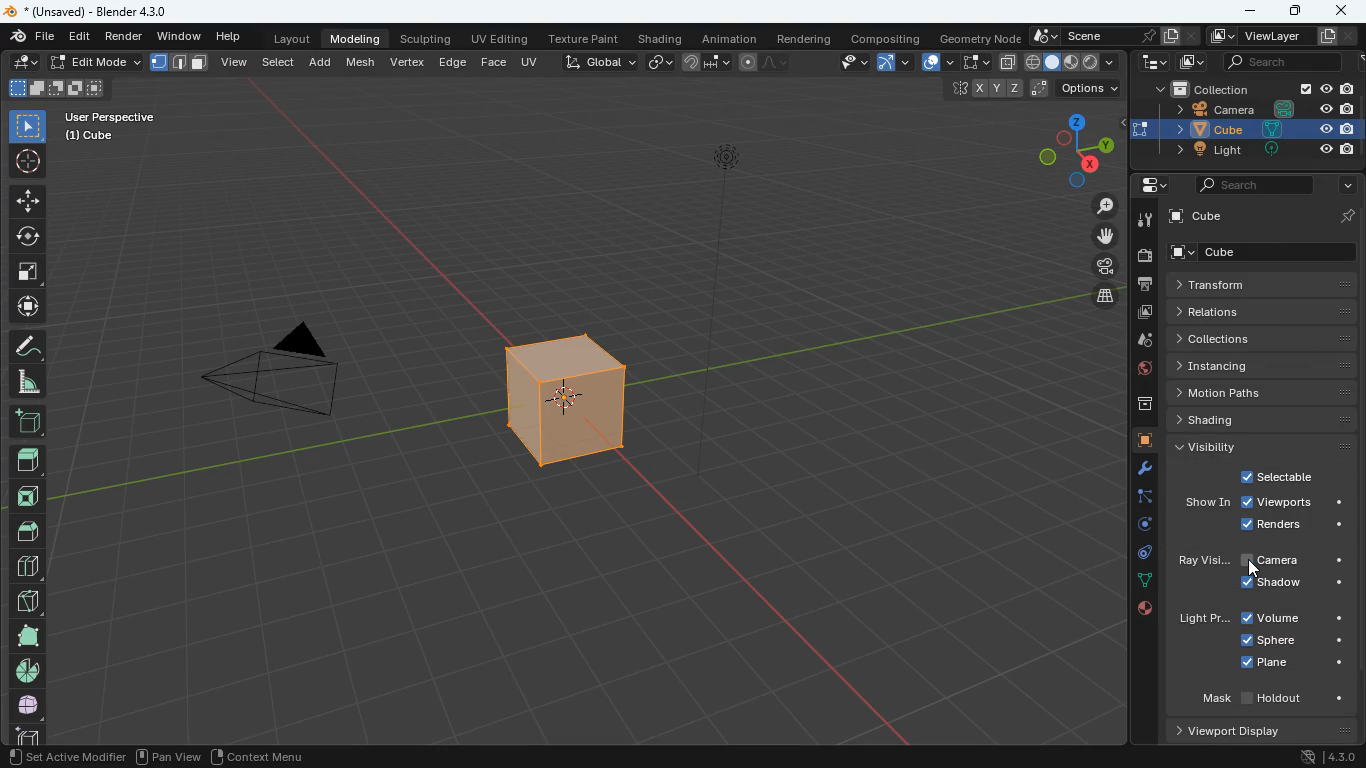 The width and height of the screenshot is (1366, 768). I want to click on finder, so click(31, 38).